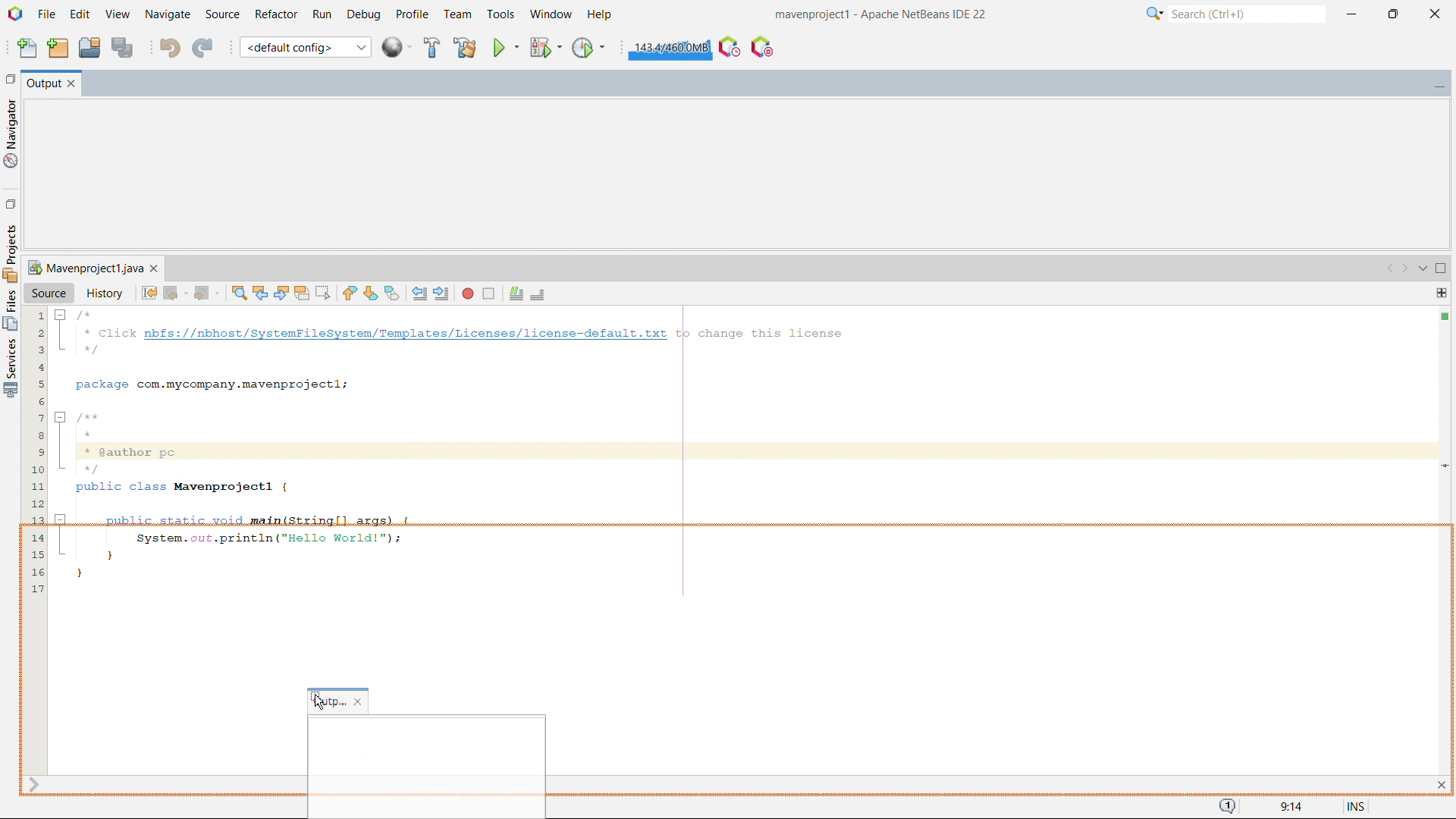  Describe the element at coordinates (175, 293) in the screenshot. I see `back` at that location.